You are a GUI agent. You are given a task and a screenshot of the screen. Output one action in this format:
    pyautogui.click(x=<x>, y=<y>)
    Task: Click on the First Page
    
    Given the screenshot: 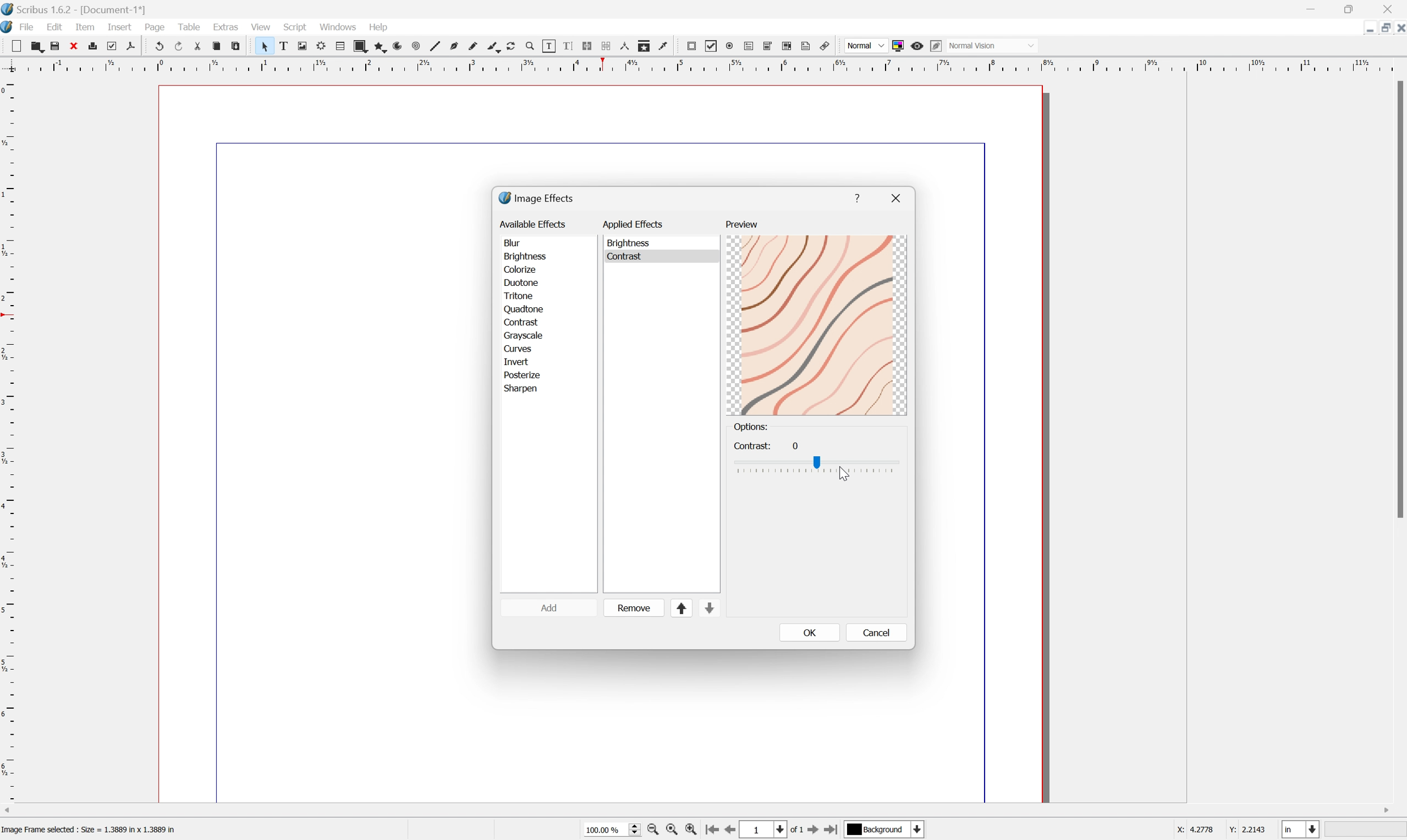 What is the action you would take?
    pyautogui.click(x=713, y=829)
    